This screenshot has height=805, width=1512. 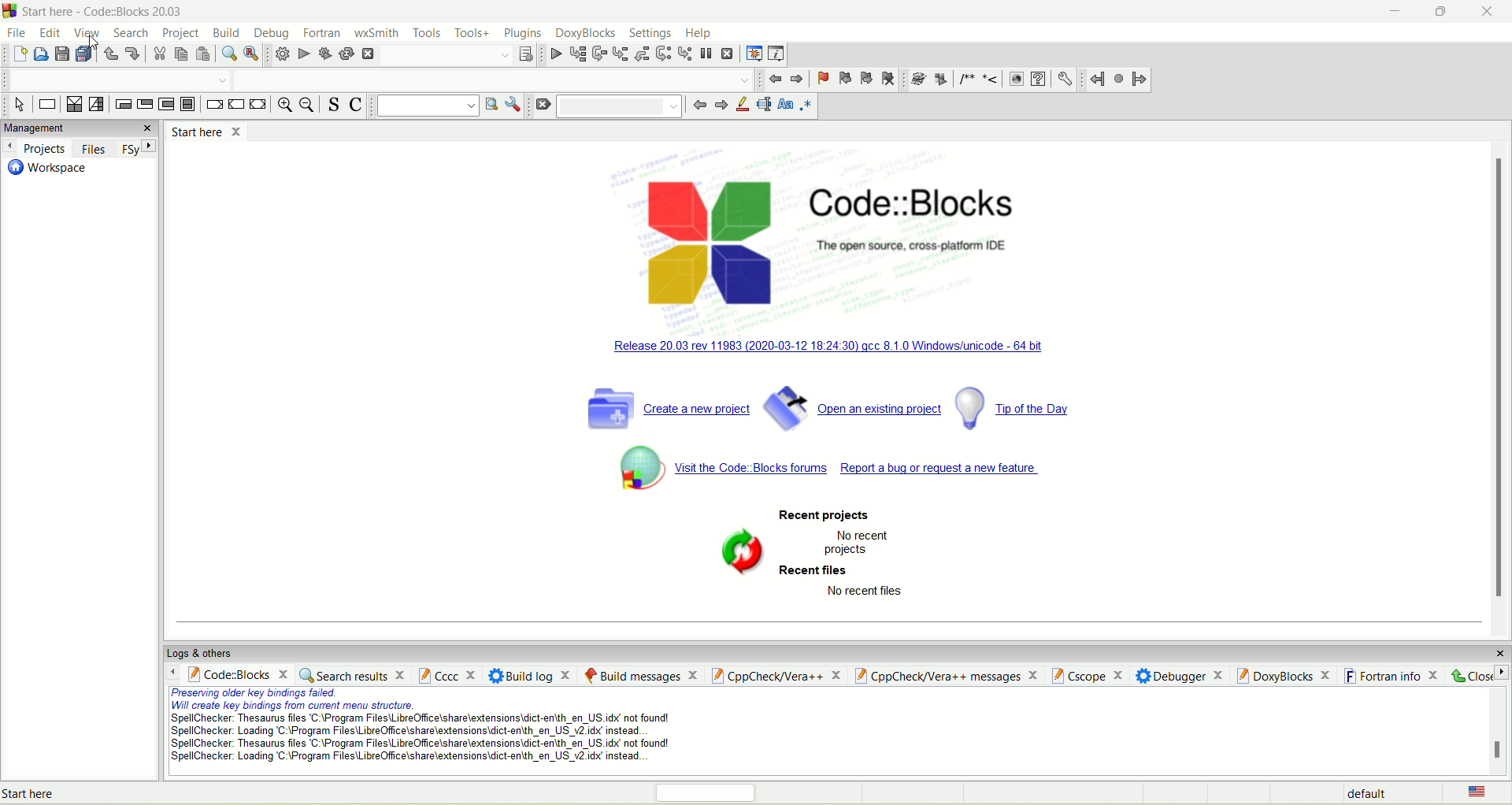 What do you see at coordinates (1026, 408) in the screenshot?
I see `tip of the day` at bounding box center [1026, 408].